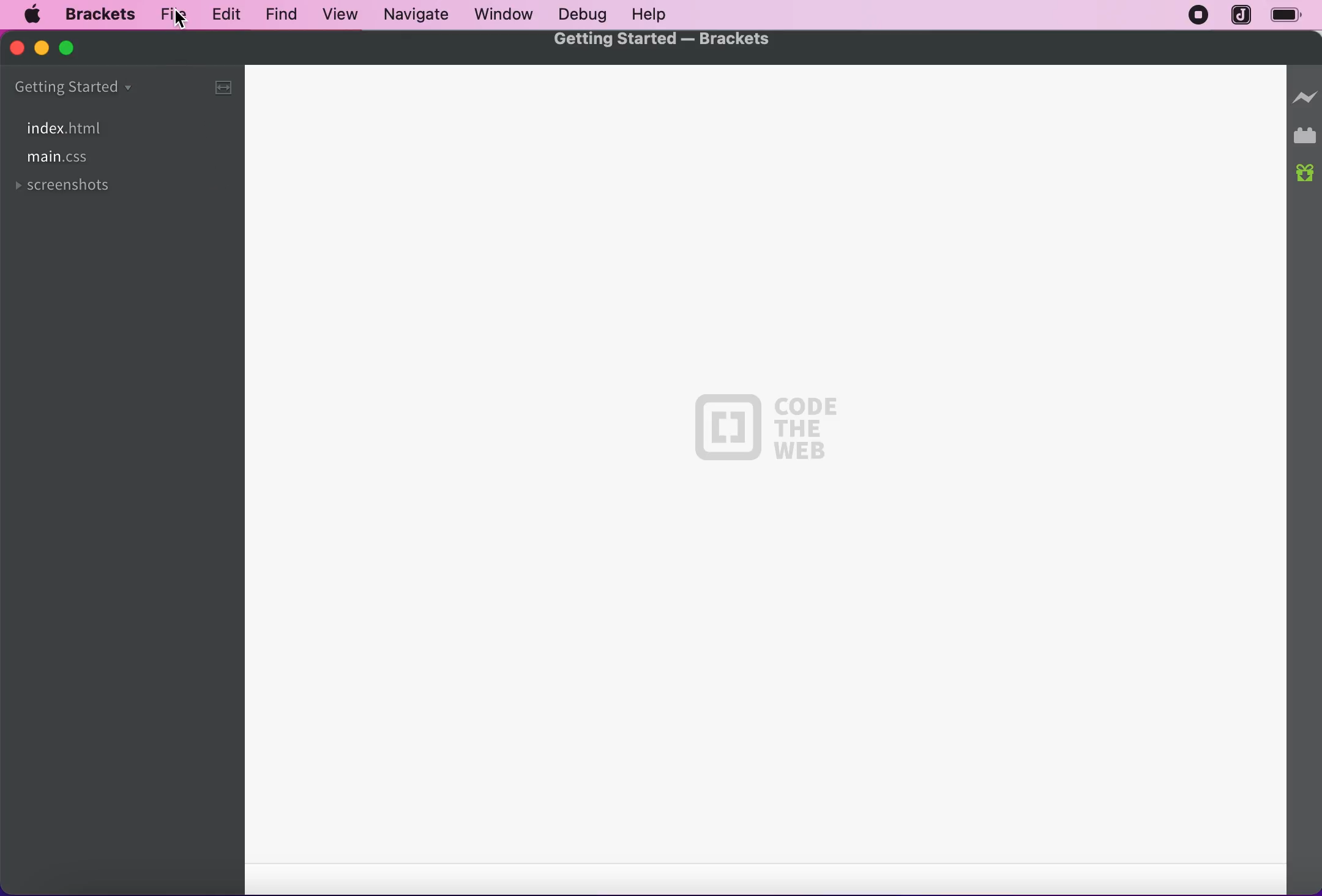  What do you see at coordinates (61, 159) in the screenshot?
I see `main.css` at bounding box center [61, 159].